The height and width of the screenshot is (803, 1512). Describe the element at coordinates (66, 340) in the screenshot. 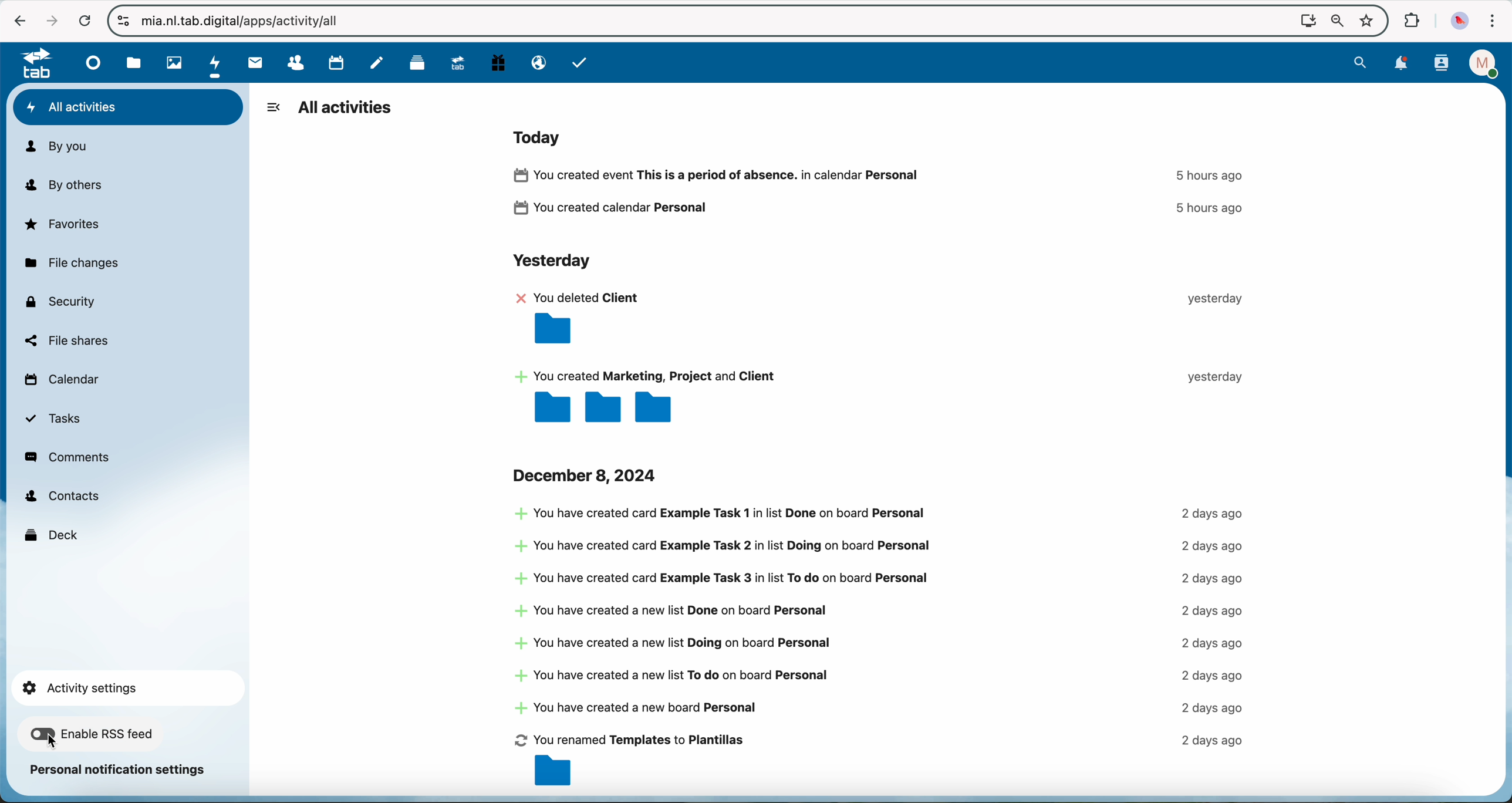

I see `file shares` at that location.